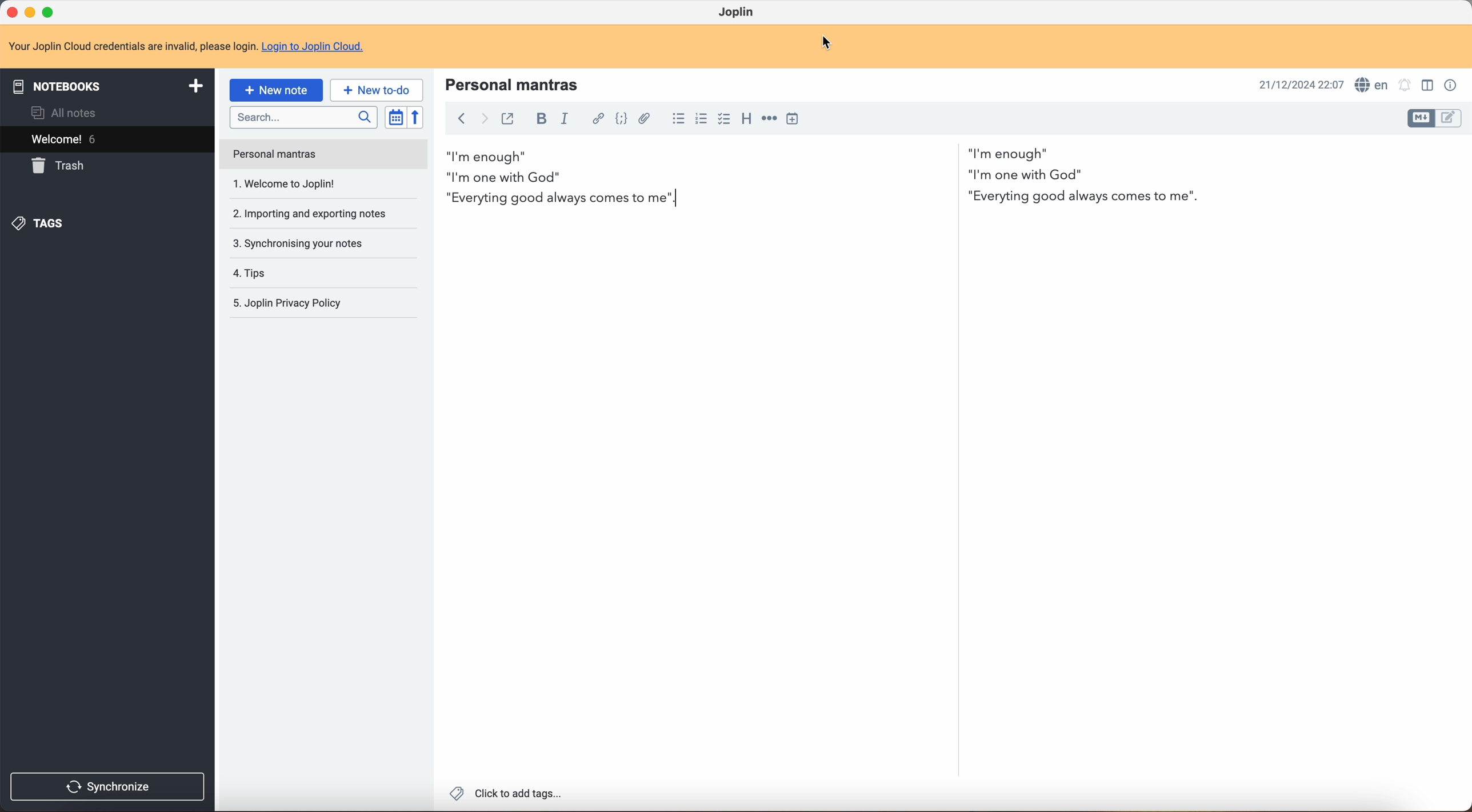 The height and width of the screenshot is (812, 1472). What do you see at coordinates (827, 44) in the screenshot?
I see `cursor` at bounding box center [827, 44].